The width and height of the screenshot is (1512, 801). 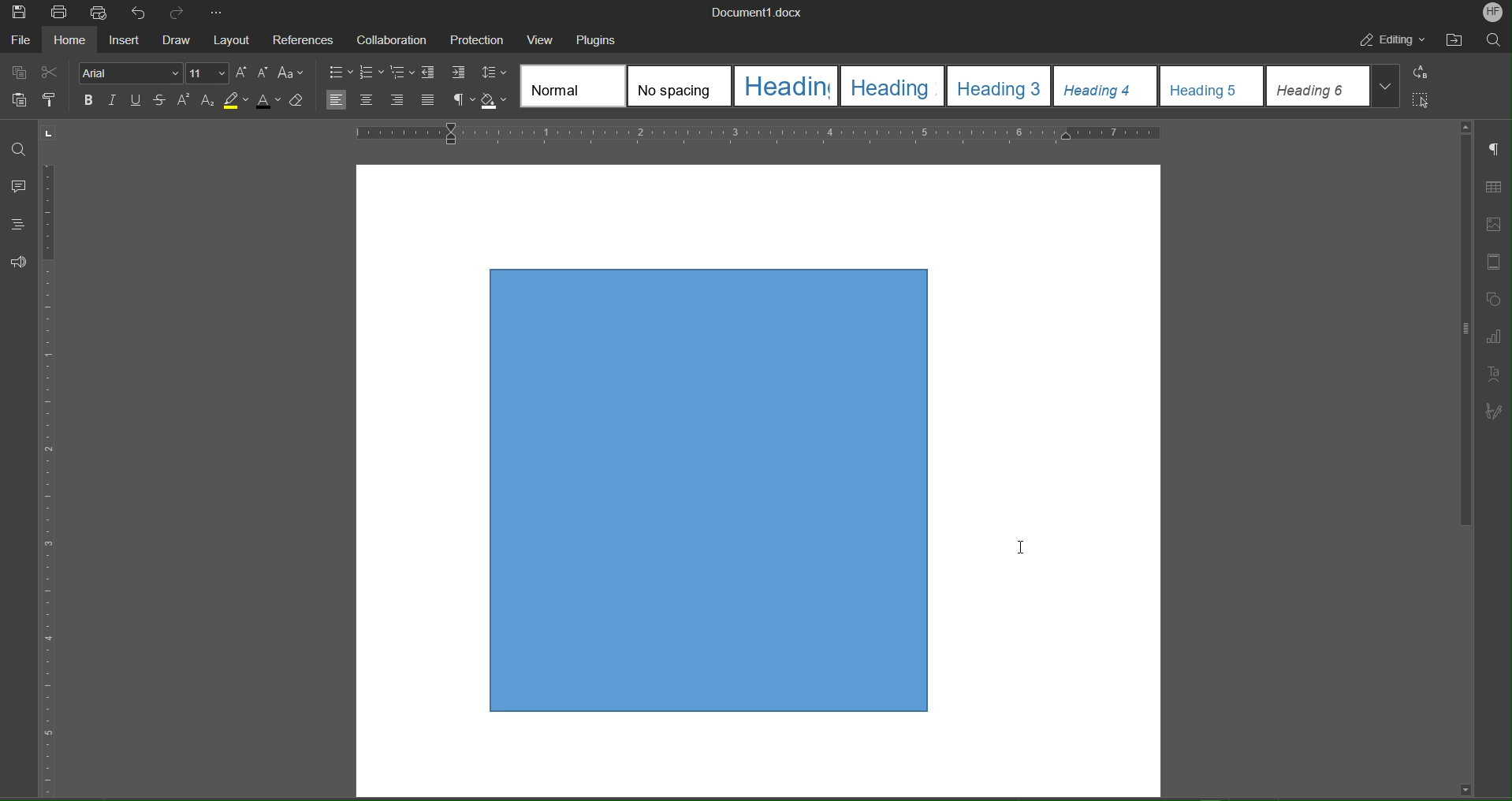 What do you see at coordinates (19, 263) in the screenshot?
I see `Feedback and Support` at bounding box center [19, 263].